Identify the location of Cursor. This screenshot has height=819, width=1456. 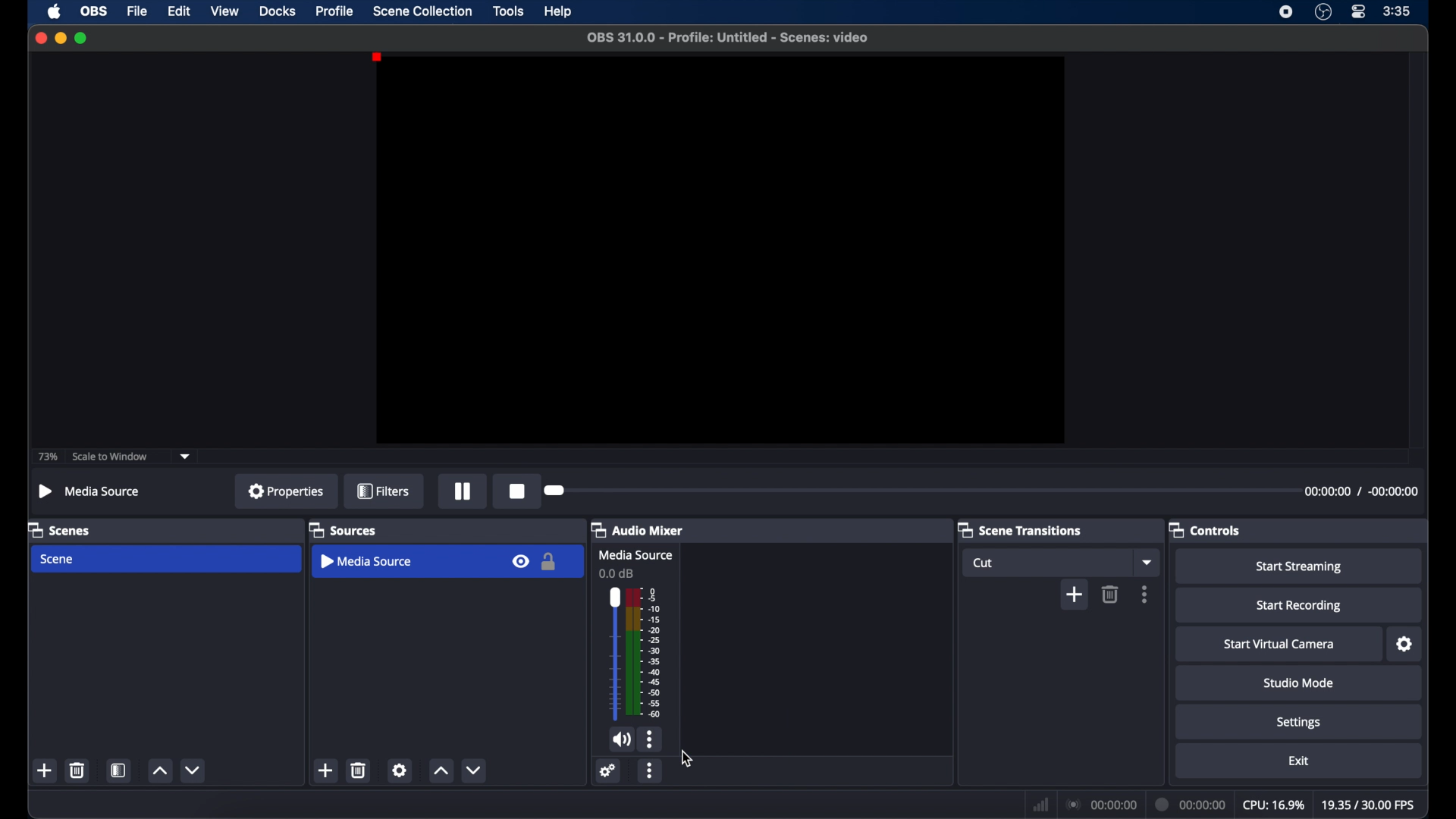
(691, 760).